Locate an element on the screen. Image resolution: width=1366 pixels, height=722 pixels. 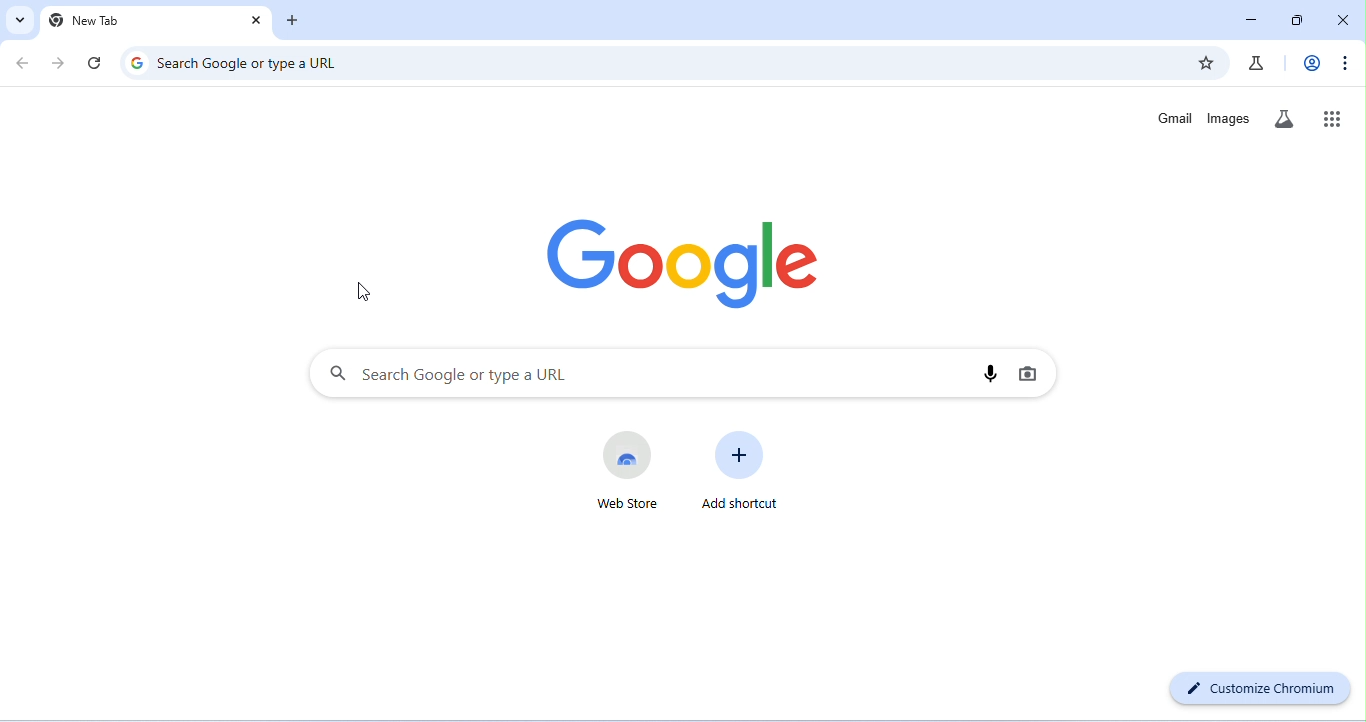
account is located at coordinates (1310, 62).